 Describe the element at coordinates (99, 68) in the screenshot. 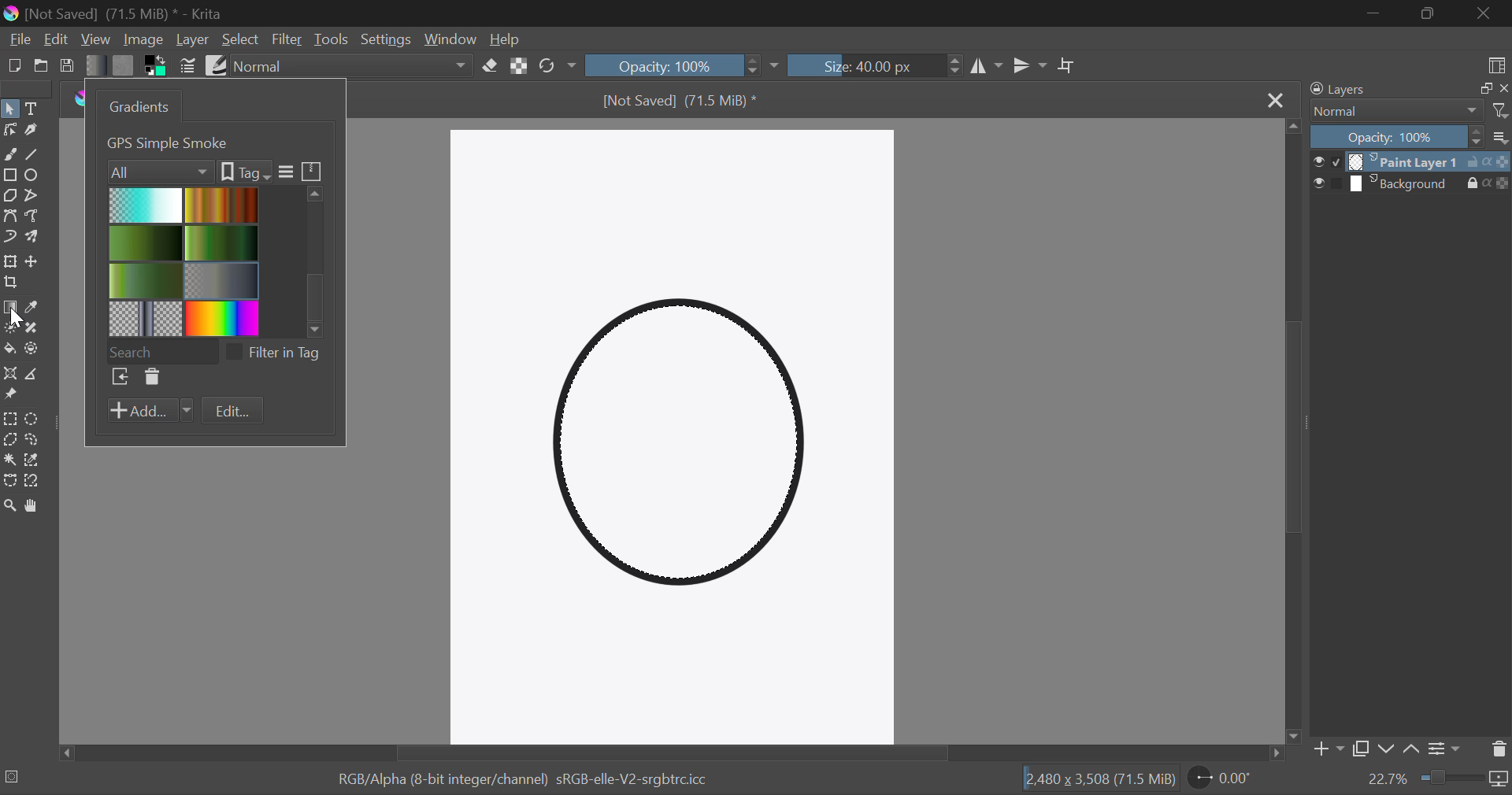

I see `Gradient` at that location.